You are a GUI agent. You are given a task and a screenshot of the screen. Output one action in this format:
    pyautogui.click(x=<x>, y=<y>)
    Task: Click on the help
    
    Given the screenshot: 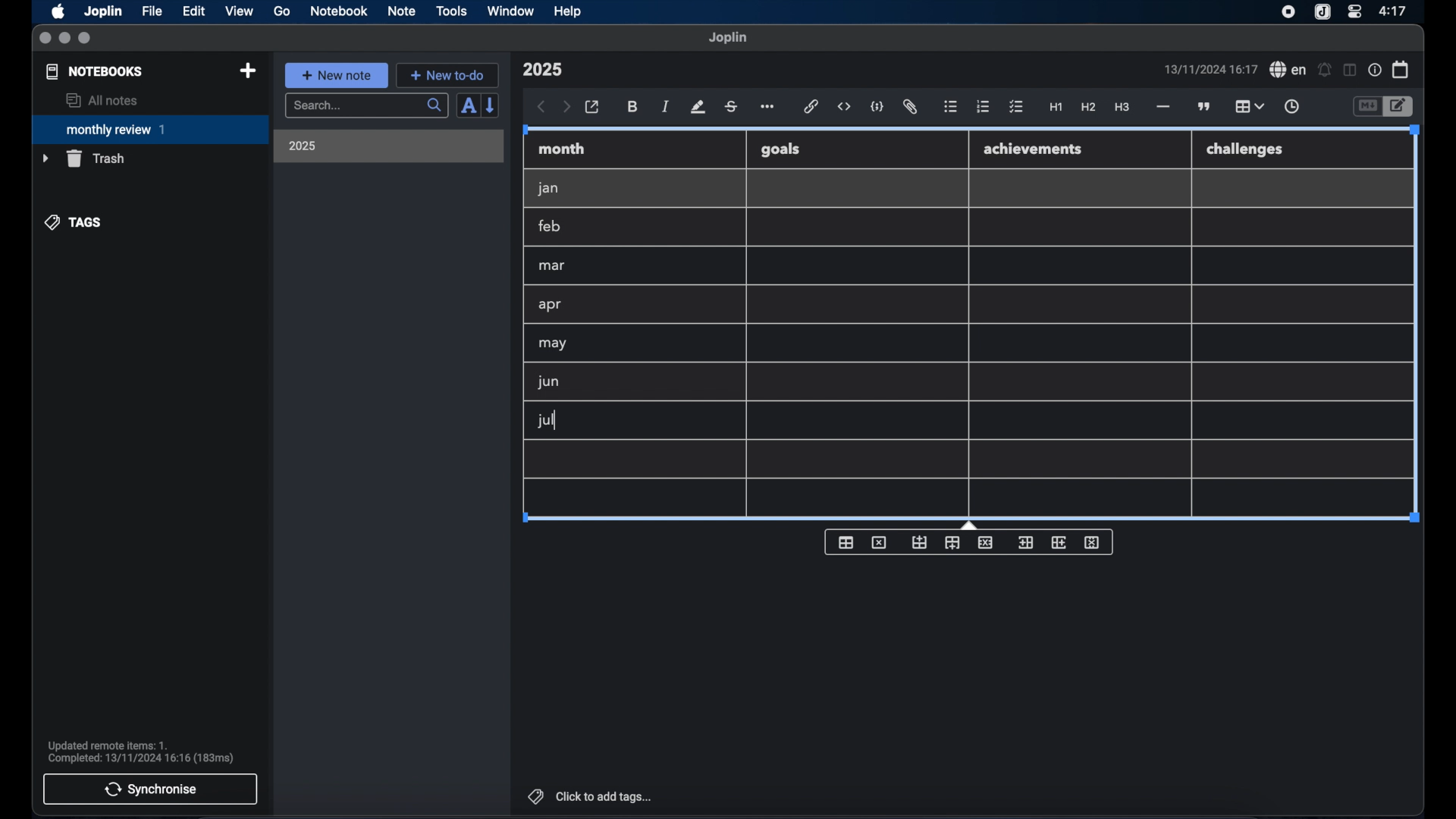 What is the action you would take?
    pyautogui.click(x=569, y=11)
    